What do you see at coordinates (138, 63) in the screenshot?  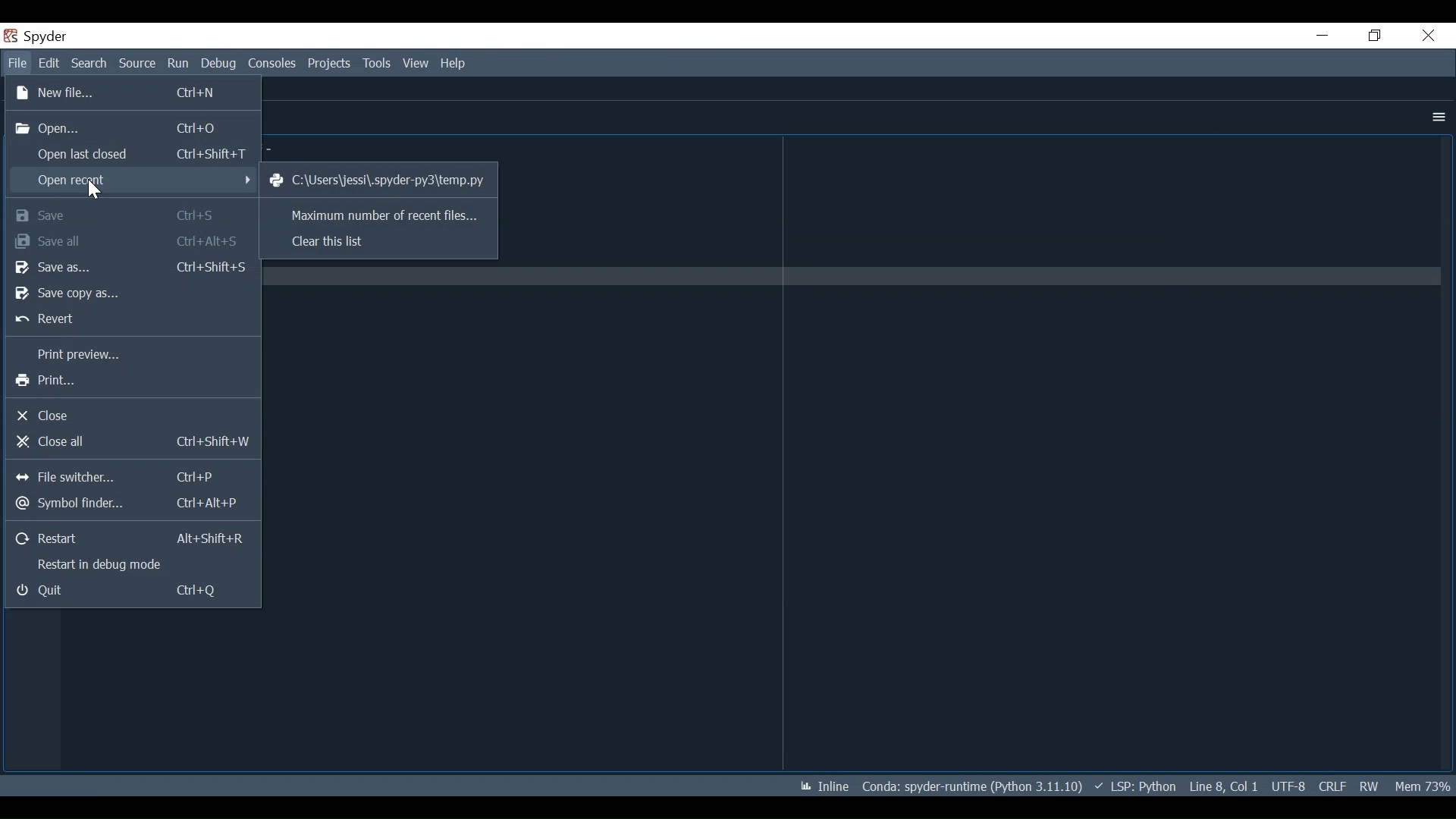 I see `Source` at bounding box center [138, 63].